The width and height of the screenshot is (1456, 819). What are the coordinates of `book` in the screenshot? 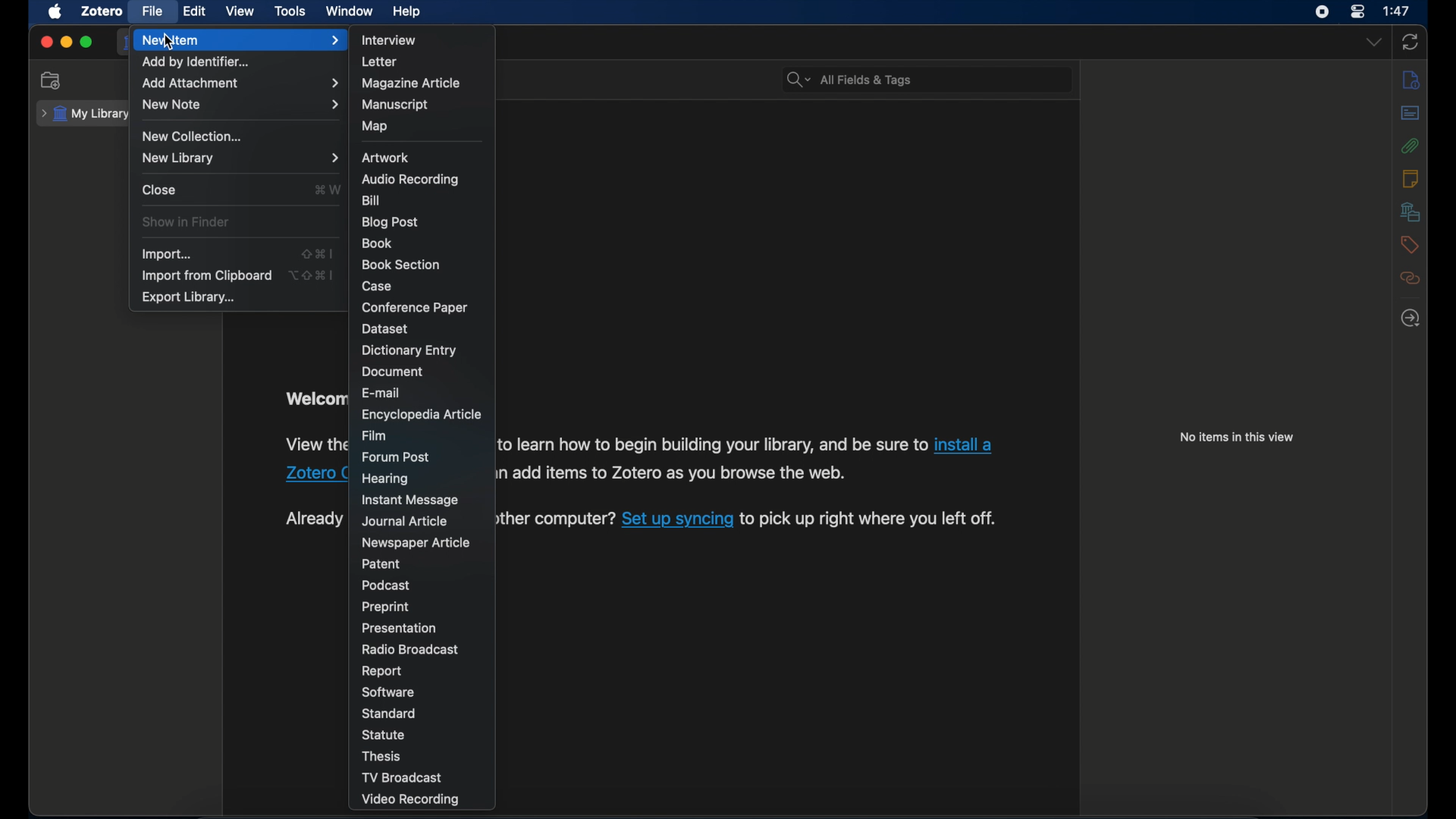 It's located at (379, 243).